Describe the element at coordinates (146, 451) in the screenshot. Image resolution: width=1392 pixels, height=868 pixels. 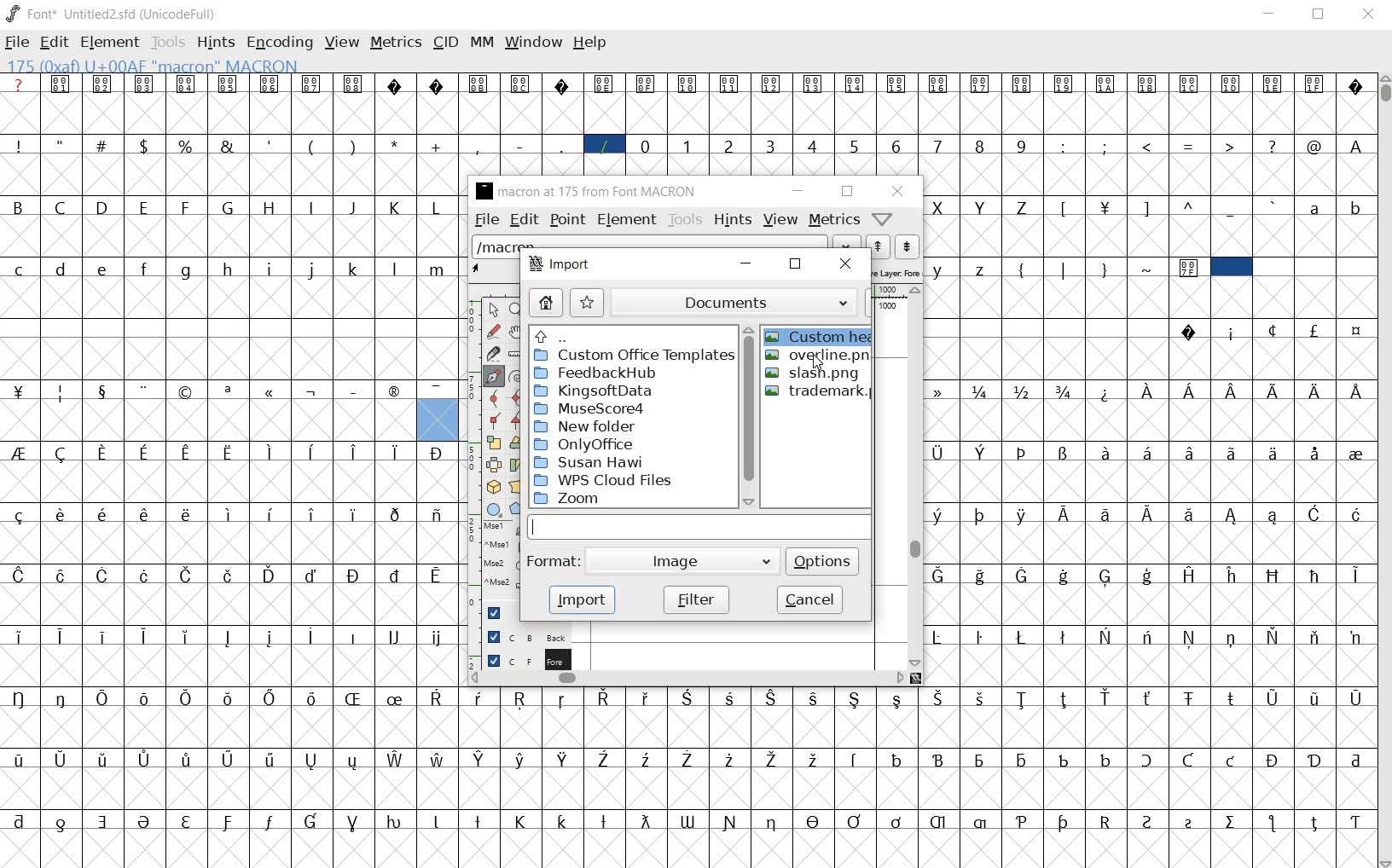
I see `Symbol` at that location.